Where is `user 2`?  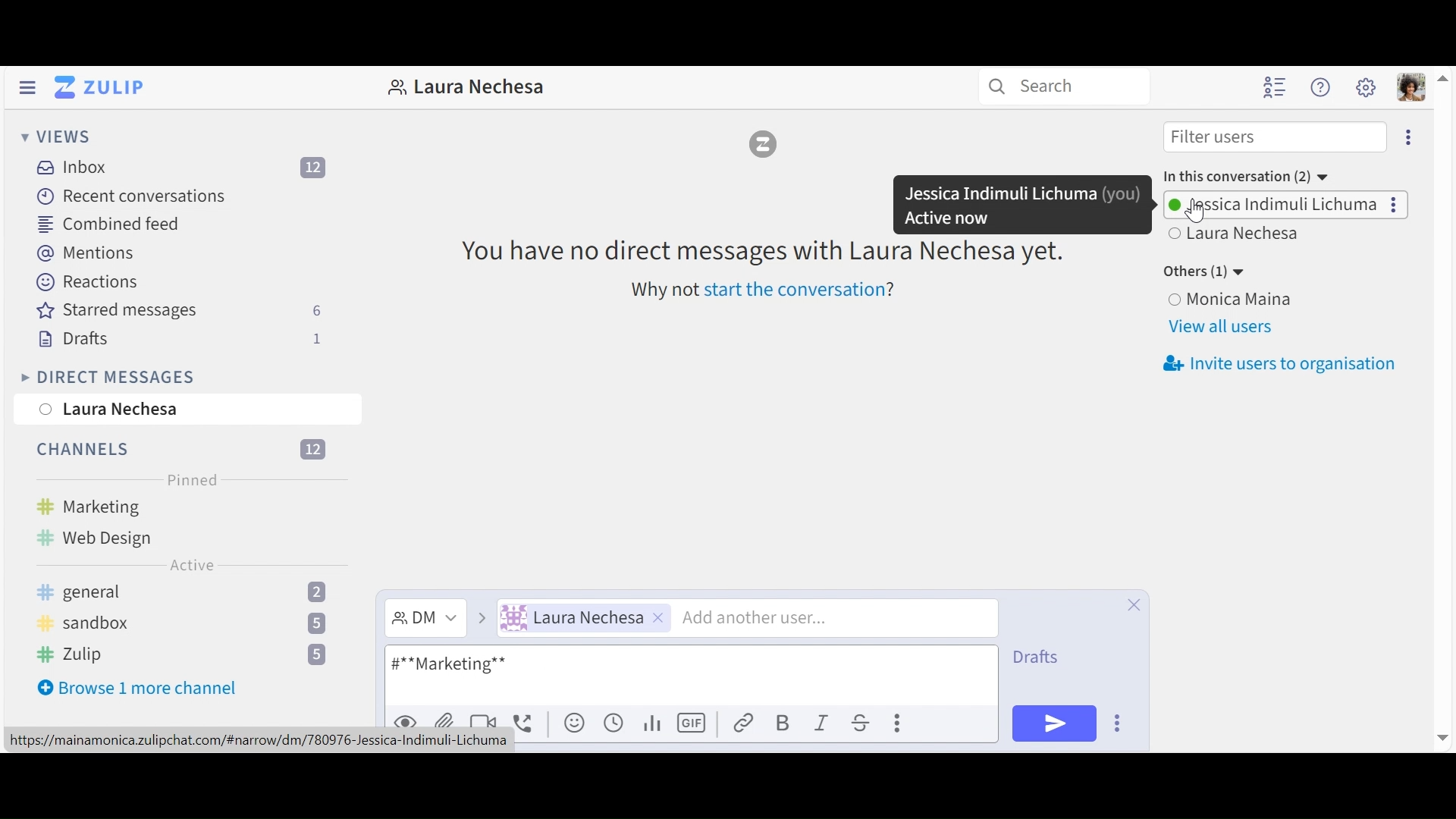 user 2 is located at coordinates (1238, 236).